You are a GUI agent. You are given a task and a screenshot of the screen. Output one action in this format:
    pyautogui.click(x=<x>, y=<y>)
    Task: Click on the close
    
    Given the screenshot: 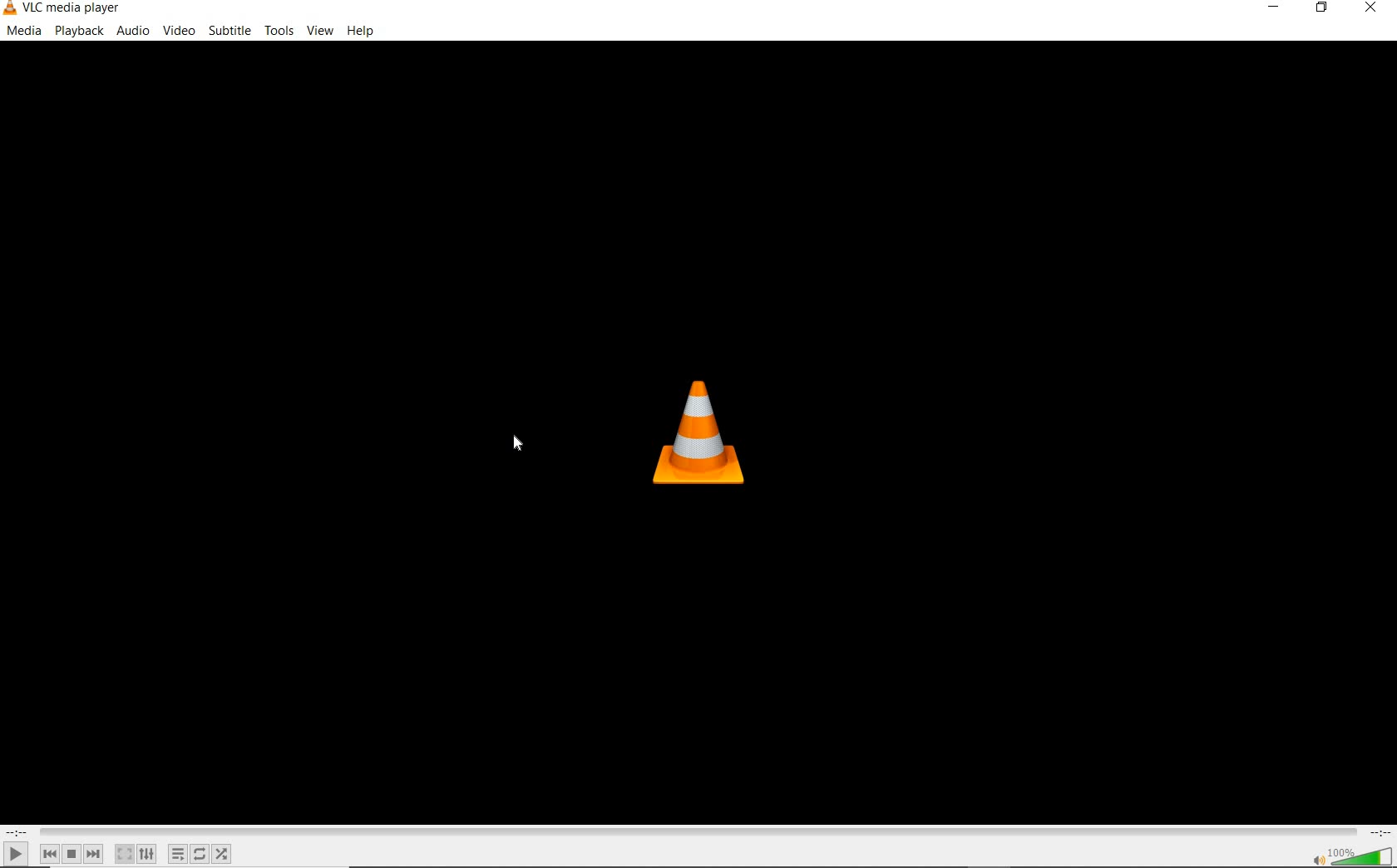 What is the action you would take?
    pyautogui.click(x=1369, y=11)
    